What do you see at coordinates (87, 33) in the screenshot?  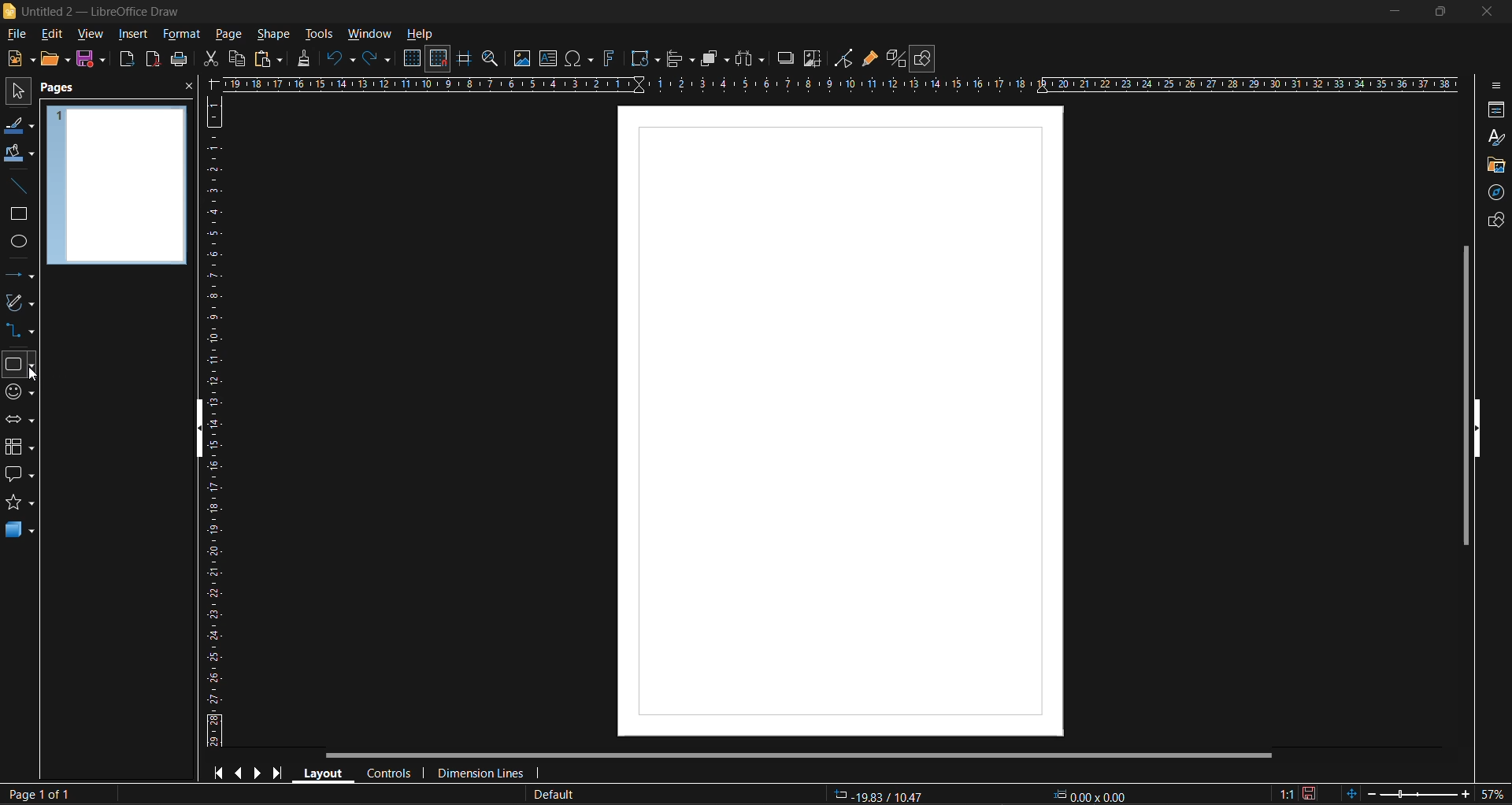 I see `view` at bounding box center [87, 33].